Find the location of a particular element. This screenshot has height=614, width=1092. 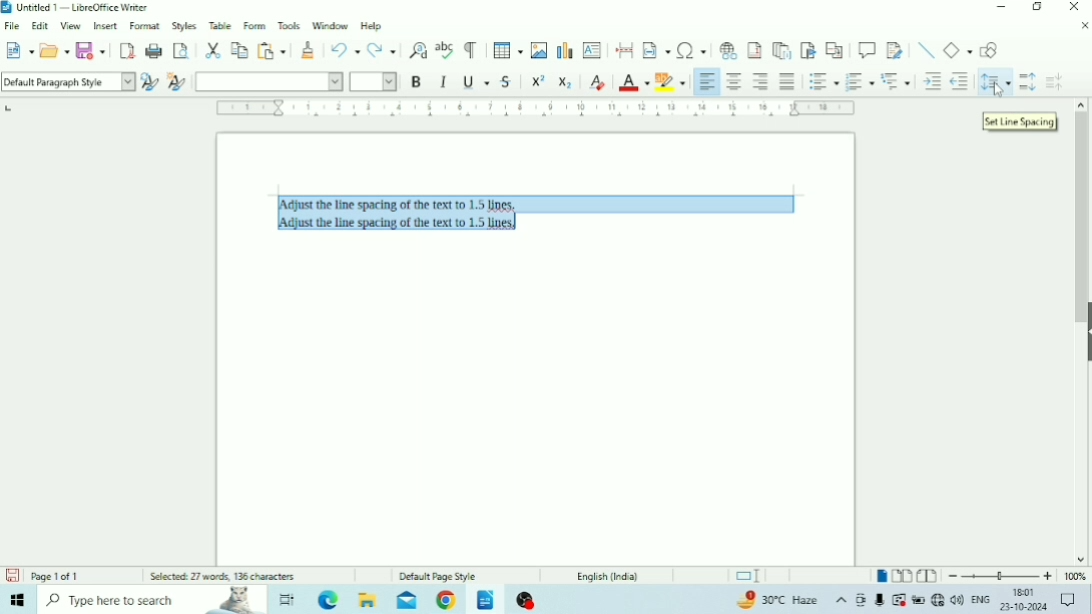

Italic is located at coordinates (444, 82).